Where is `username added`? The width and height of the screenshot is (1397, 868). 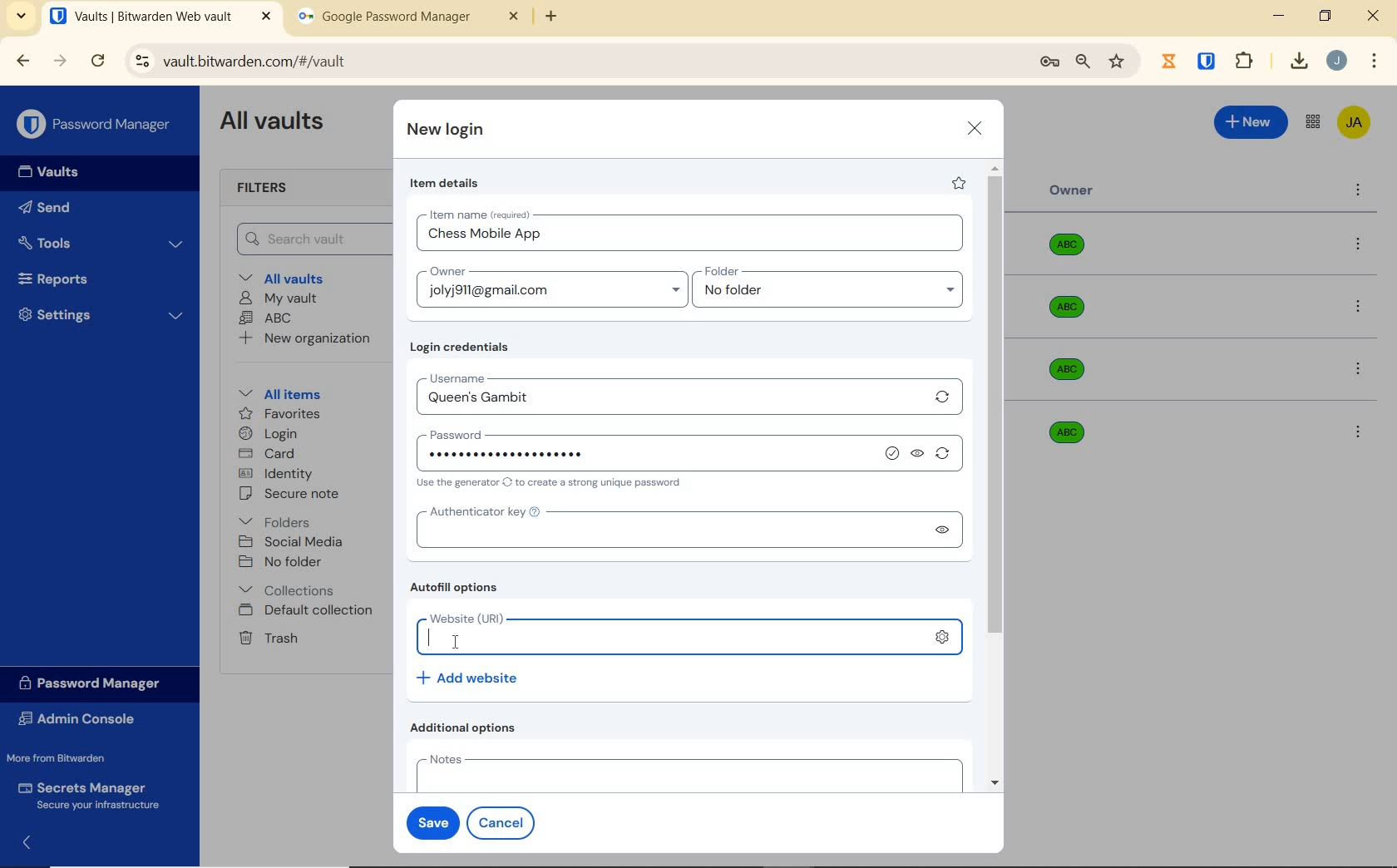 username added is located at coordinates (670, 401).